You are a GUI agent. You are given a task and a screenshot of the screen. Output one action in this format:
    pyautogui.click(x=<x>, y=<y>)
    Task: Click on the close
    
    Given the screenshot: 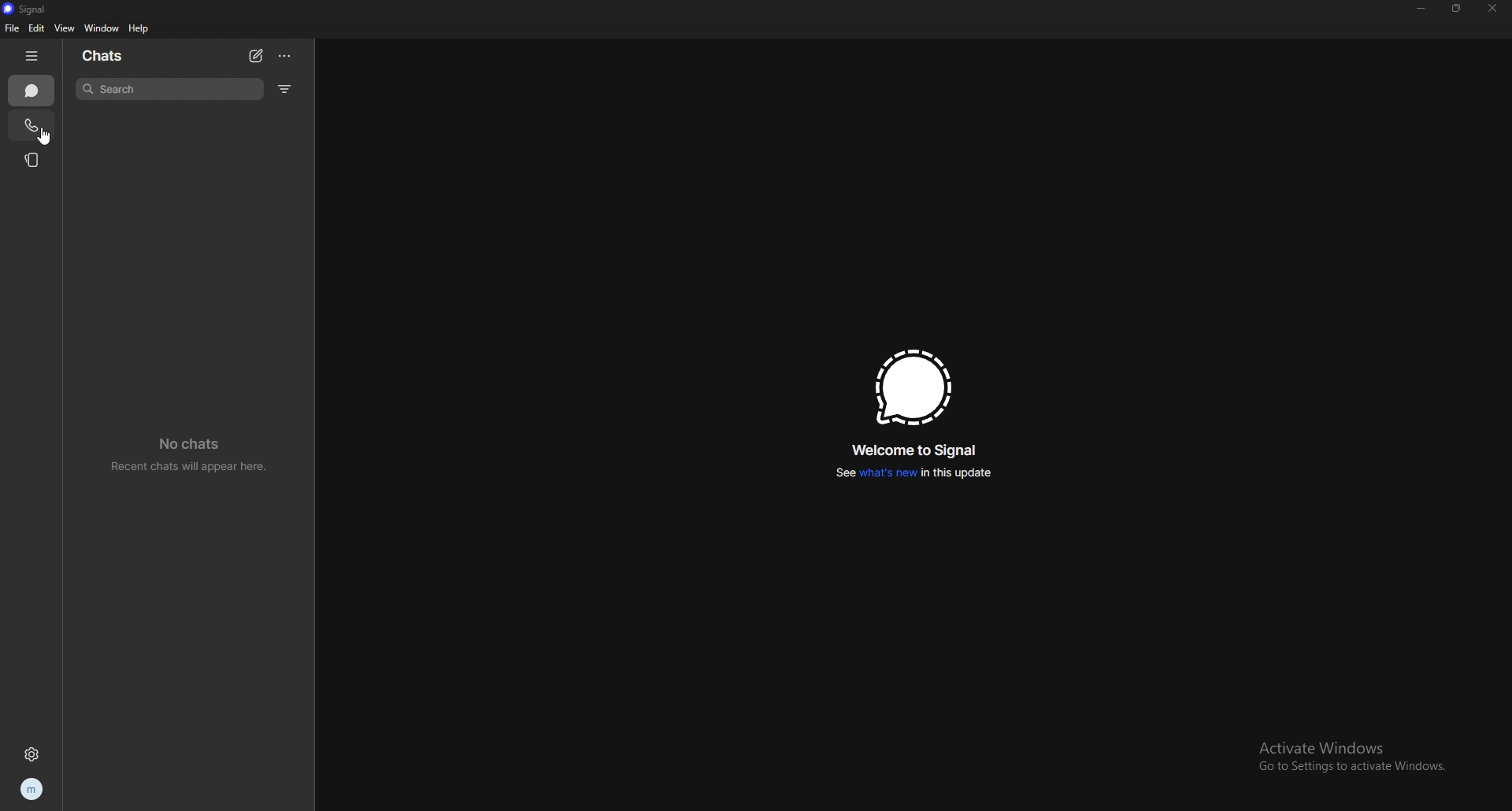 What is the action you would take?
    pyautogui.click(x=1495, y=8)
    